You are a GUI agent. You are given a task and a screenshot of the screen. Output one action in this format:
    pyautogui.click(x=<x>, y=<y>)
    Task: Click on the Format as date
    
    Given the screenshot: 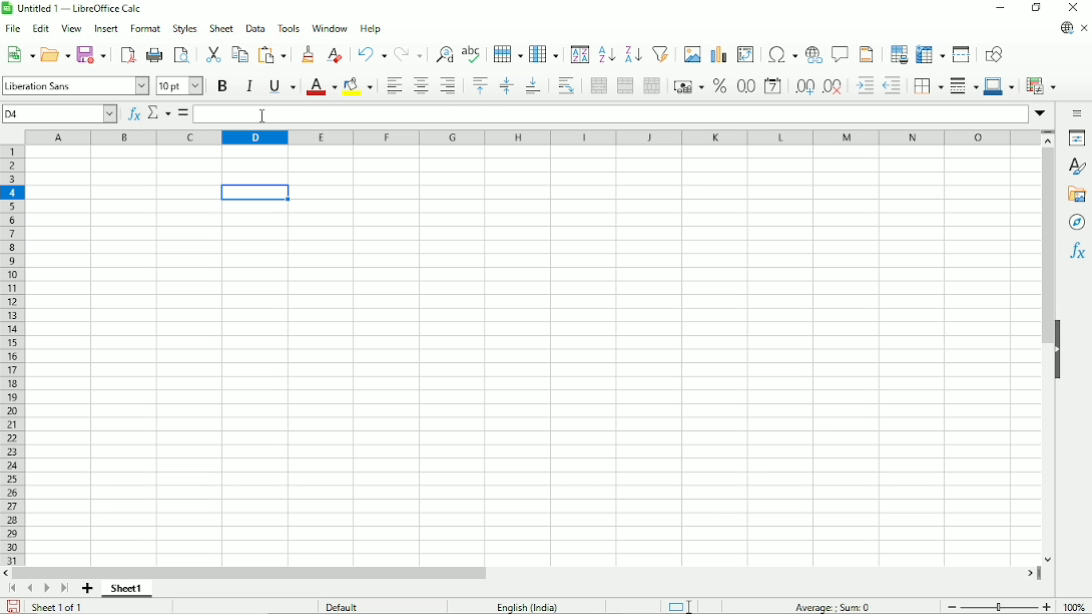 What is the action you would take?
    pyautogui.click(x=774, y=86)
    